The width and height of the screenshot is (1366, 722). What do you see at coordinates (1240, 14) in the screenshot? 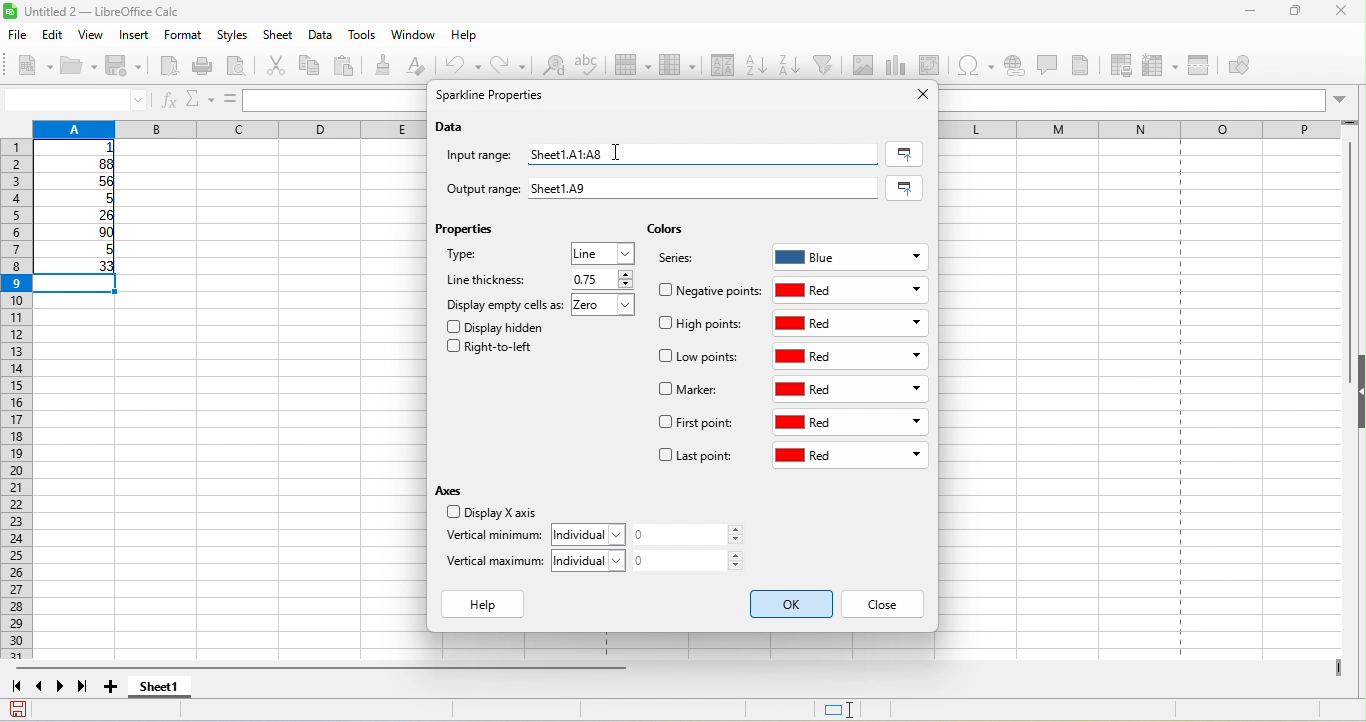
I see `minimize` at bounding box center [1240, 14].